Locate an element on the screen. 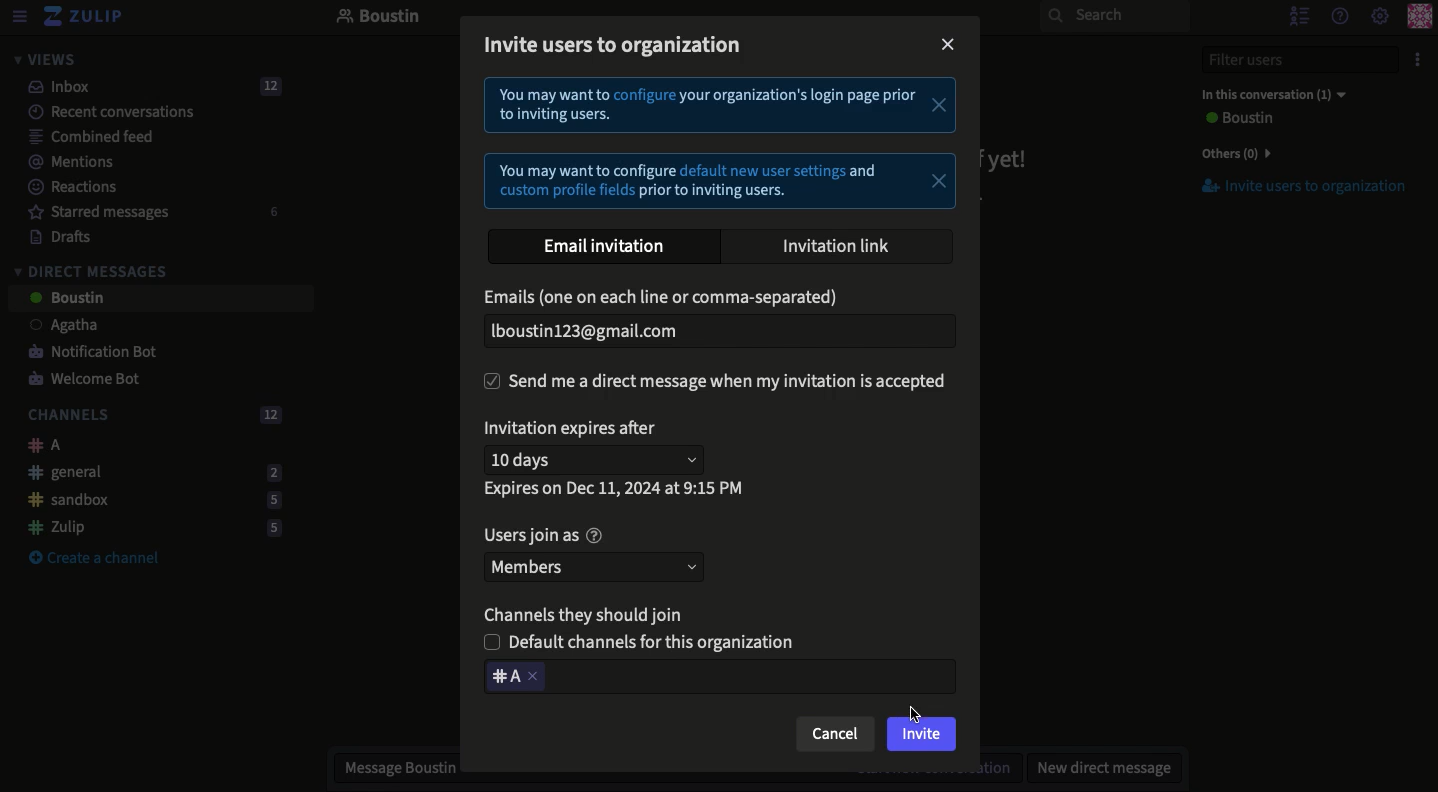  Notification bot is located at coordinates (85, 353).